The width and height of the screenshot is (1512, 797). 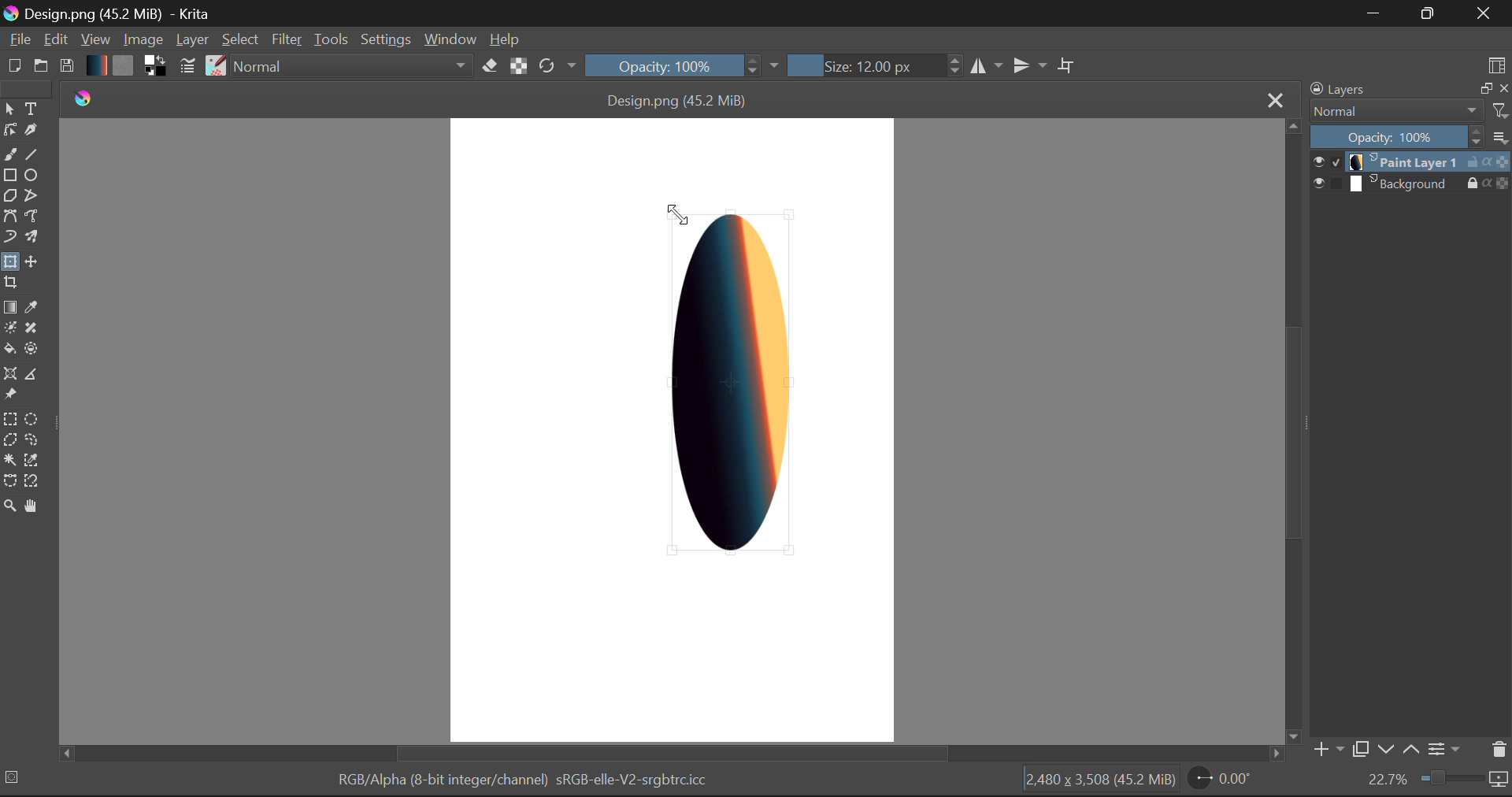 What do you see at coordinates (1411, 183) in the screenshot?
I see `Background Layer` at bounding box center [1411, 183].